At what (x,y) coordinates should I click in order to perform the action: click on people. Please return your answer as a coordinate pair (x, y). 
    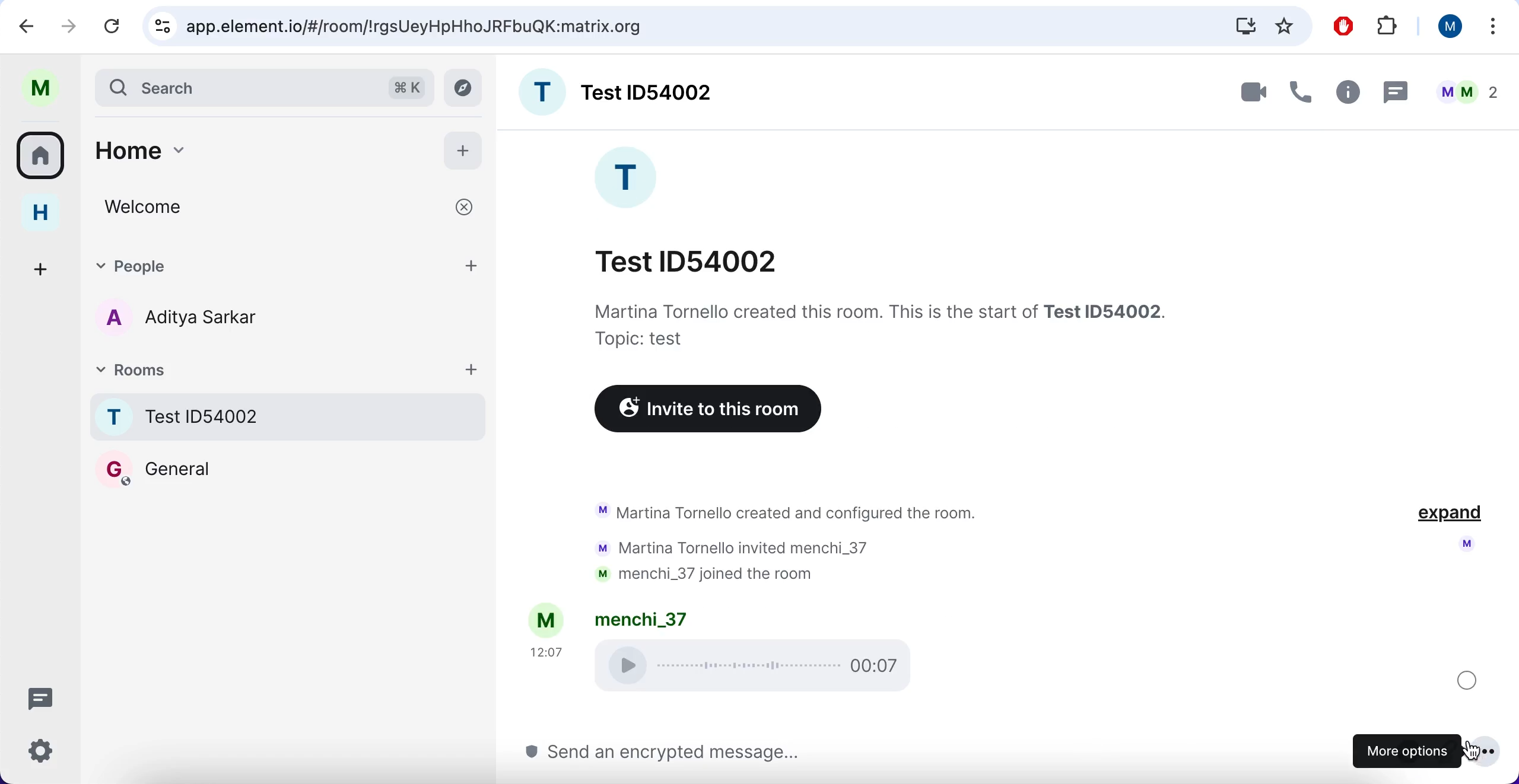
    Looking at the image, I should click on (1464, 88).